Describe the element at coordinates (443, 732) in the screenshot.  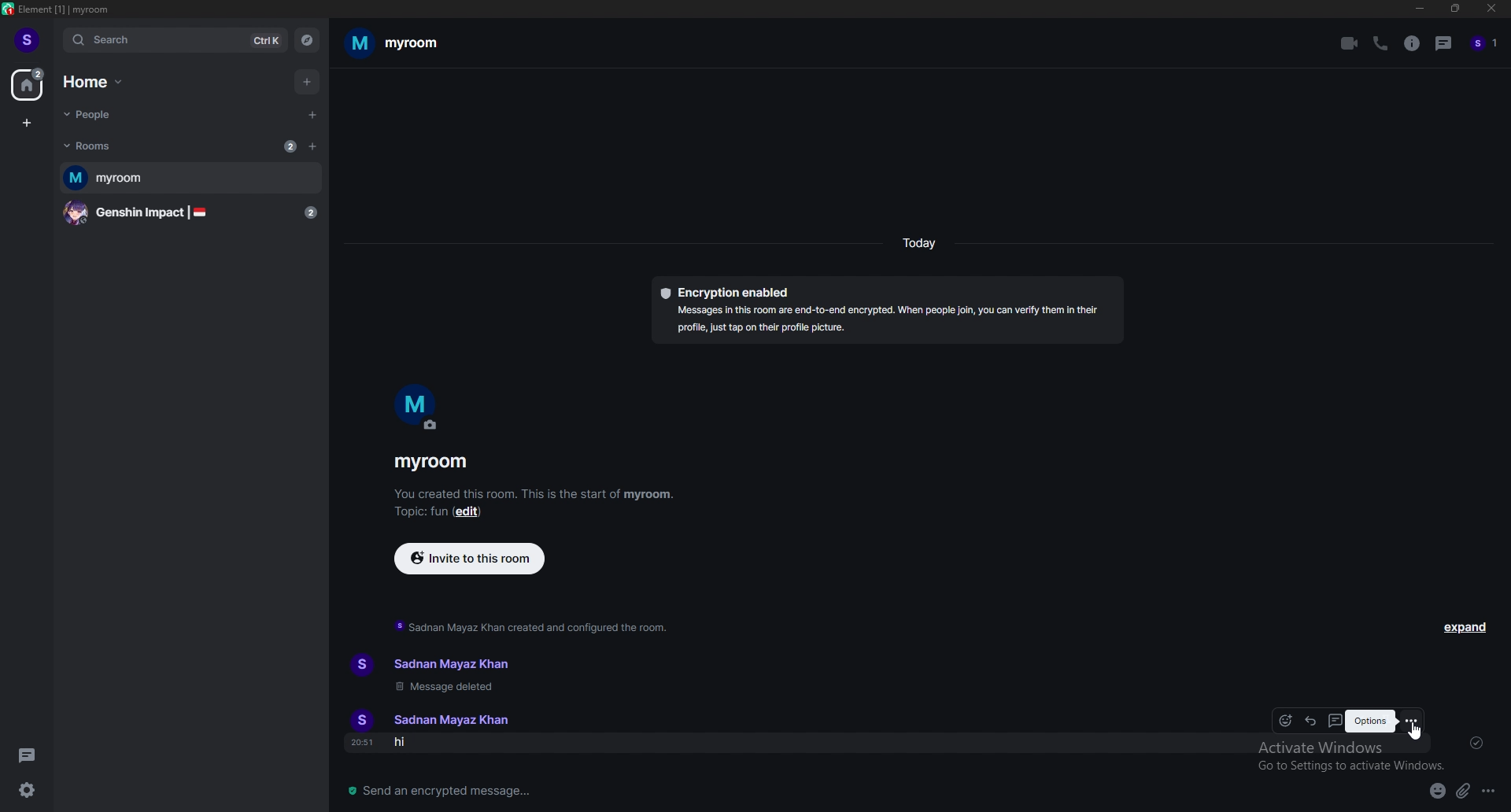
I see `sadnan mayaz khan 20:51 hi` at that location.